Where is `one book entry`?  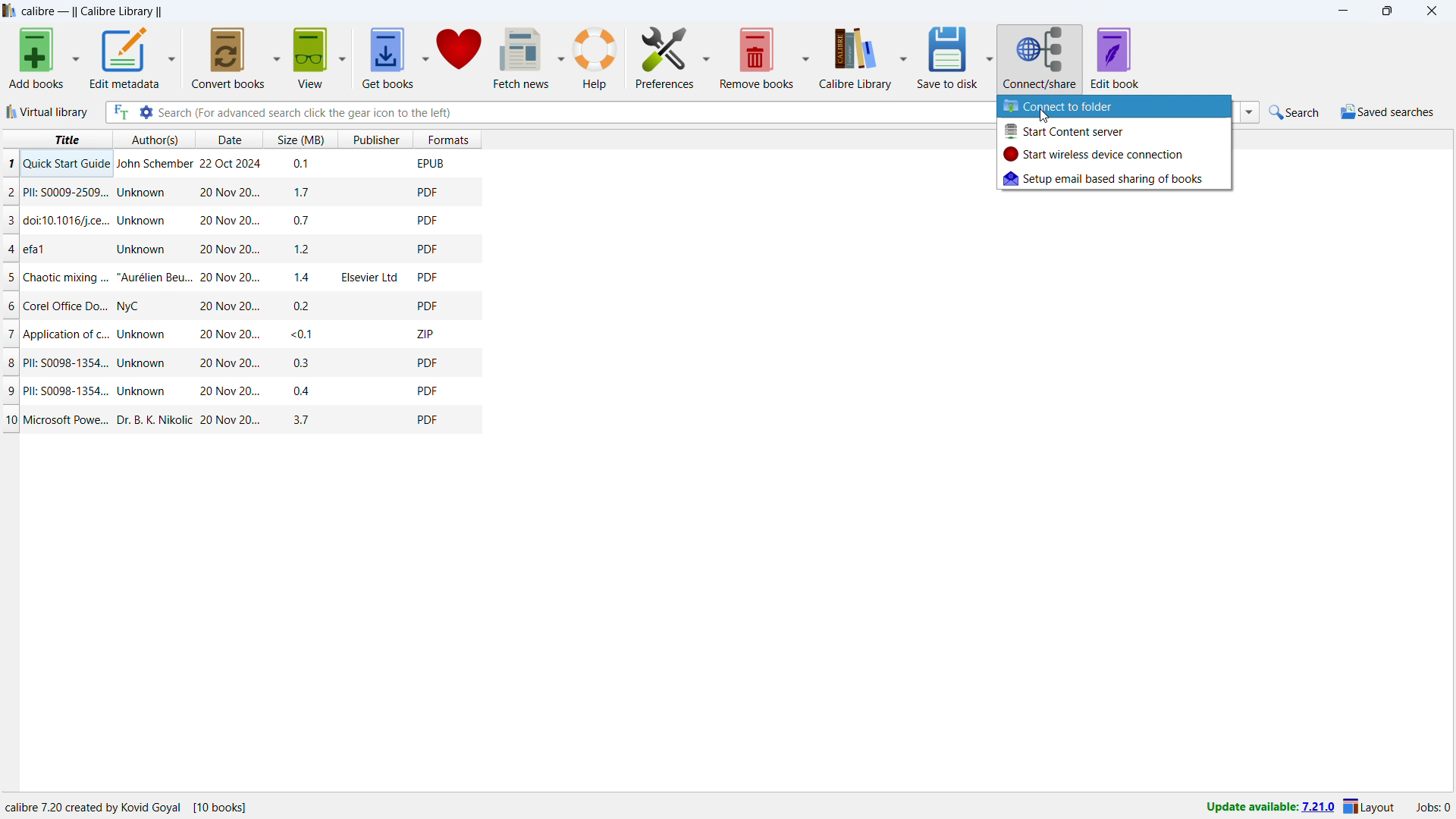
one book entry is located at coordinates (237, 365).